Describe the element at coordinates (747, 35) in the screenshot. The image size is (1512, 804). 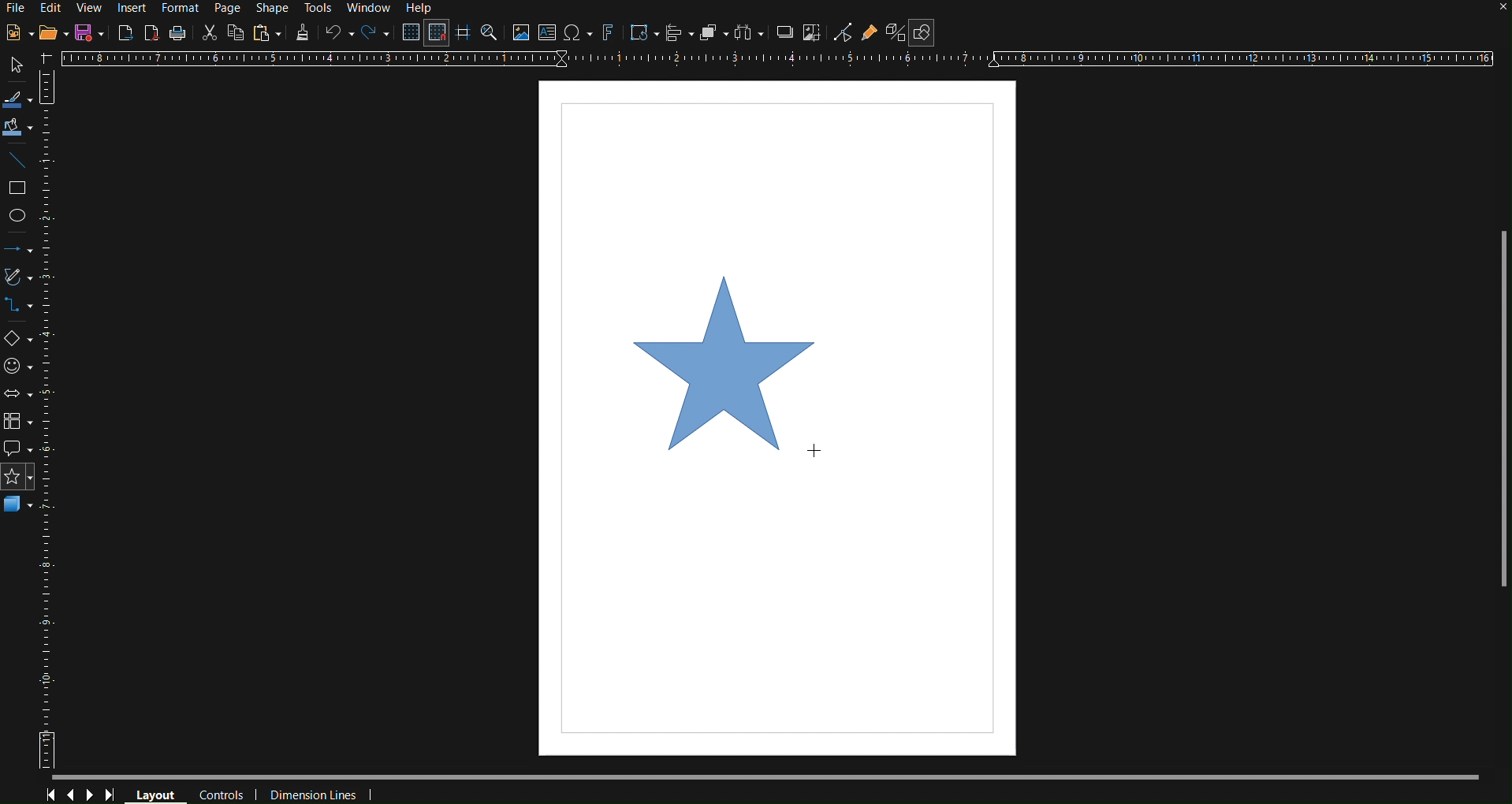
I see `Distribute Objects` at that location.